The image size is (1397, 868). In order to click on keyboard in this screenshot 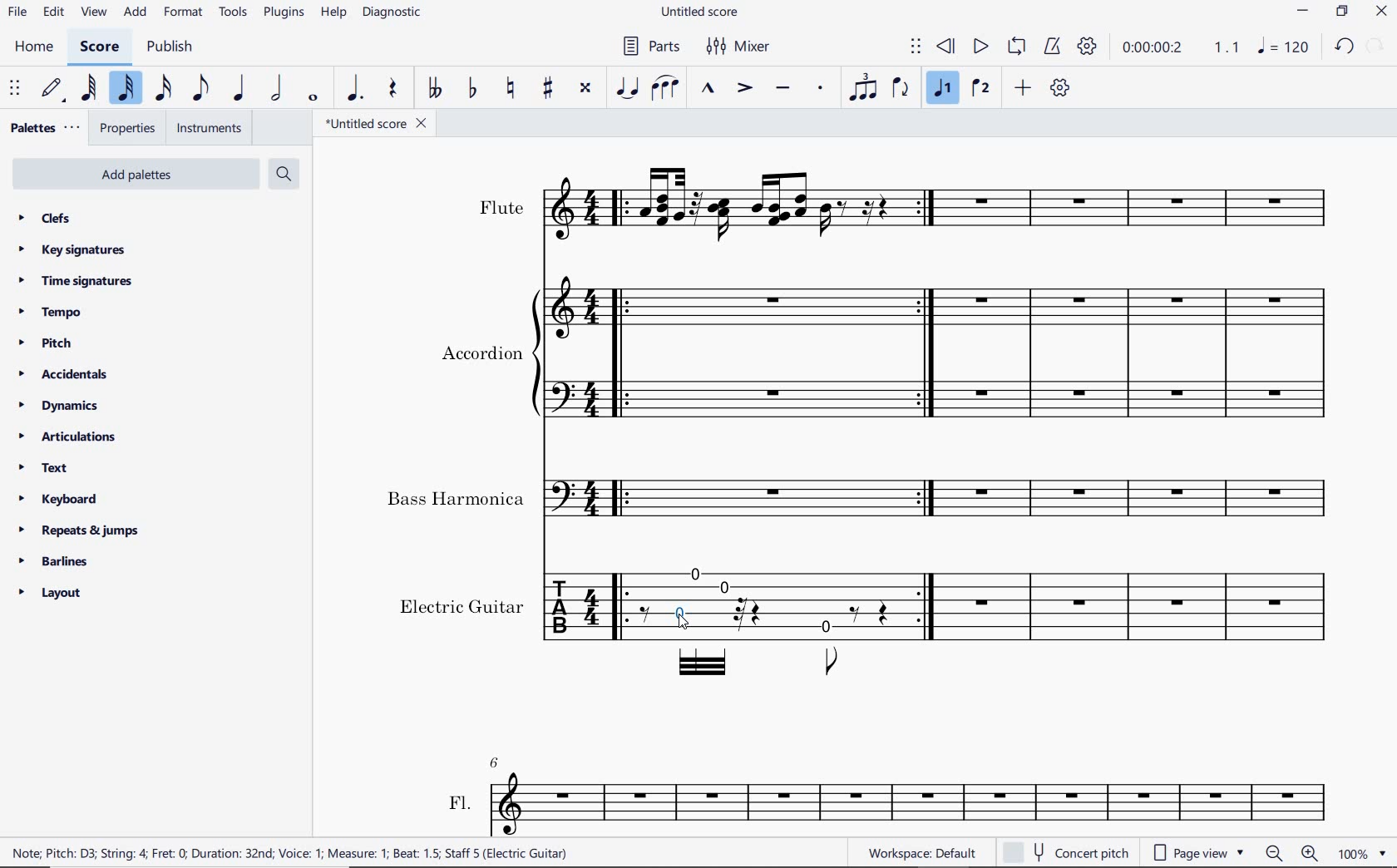, I will do `click(60, 501)`.